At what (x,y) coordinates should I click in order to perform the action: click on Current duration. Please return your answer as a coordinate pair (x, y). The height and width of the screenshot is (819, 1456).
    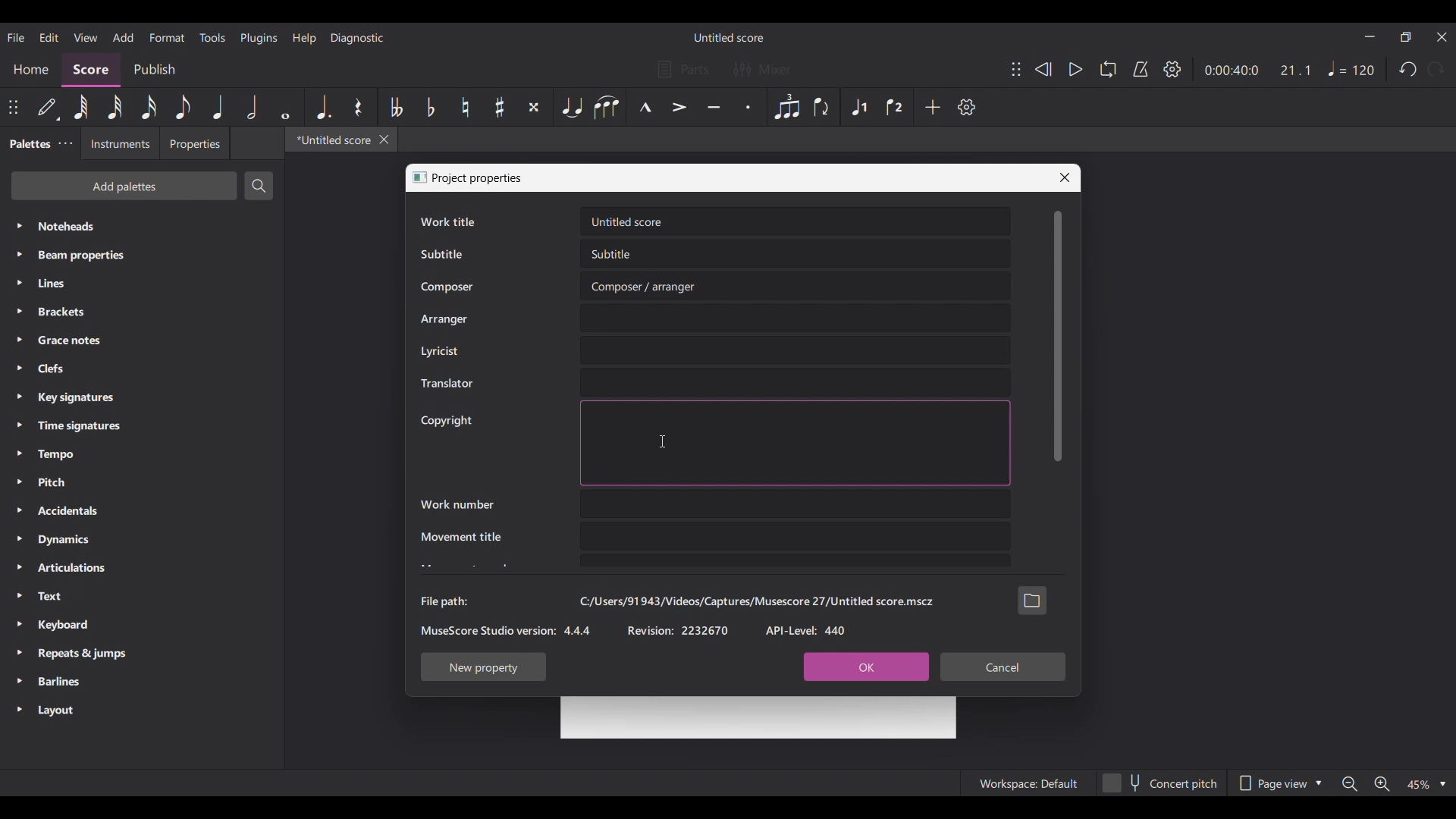
    Looking at the image, I should click on (1232, 70).